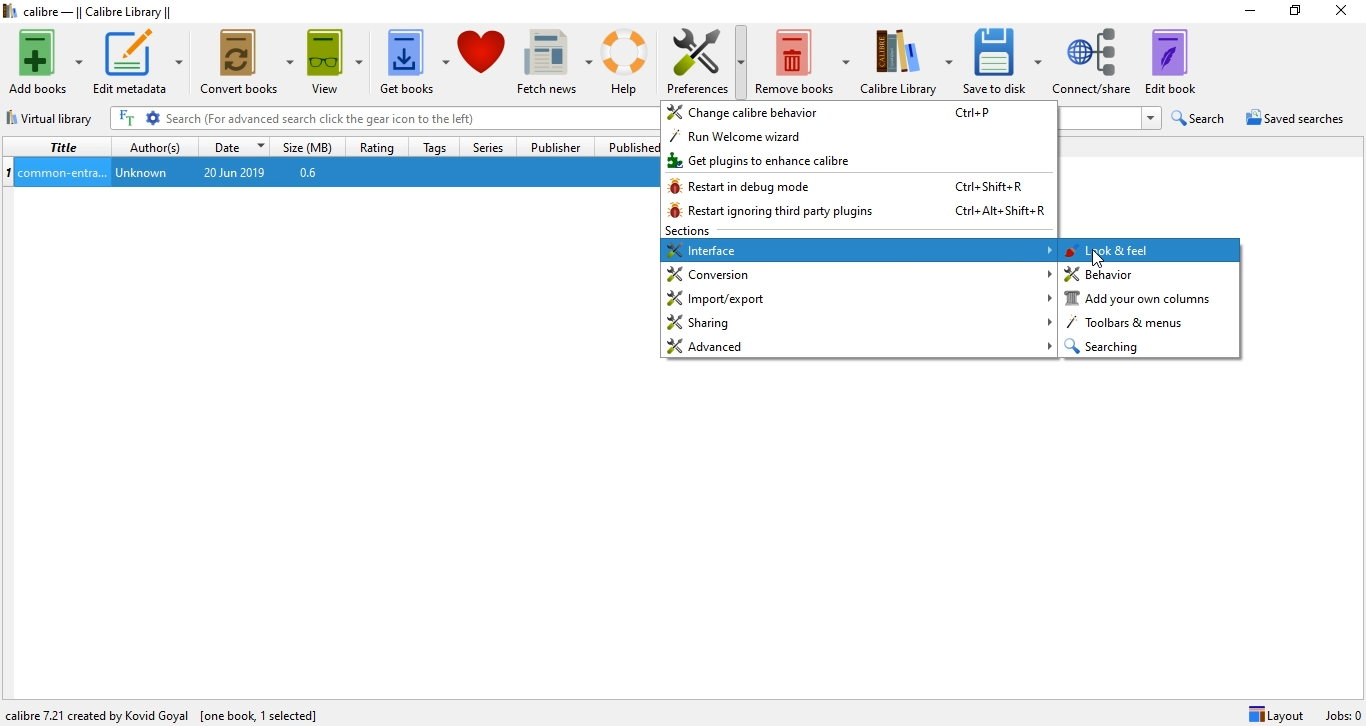 This screenshot has width=1366, height=726. Describe the element at coordinates (1003, 59) in the screenshot. I see `` at that location.